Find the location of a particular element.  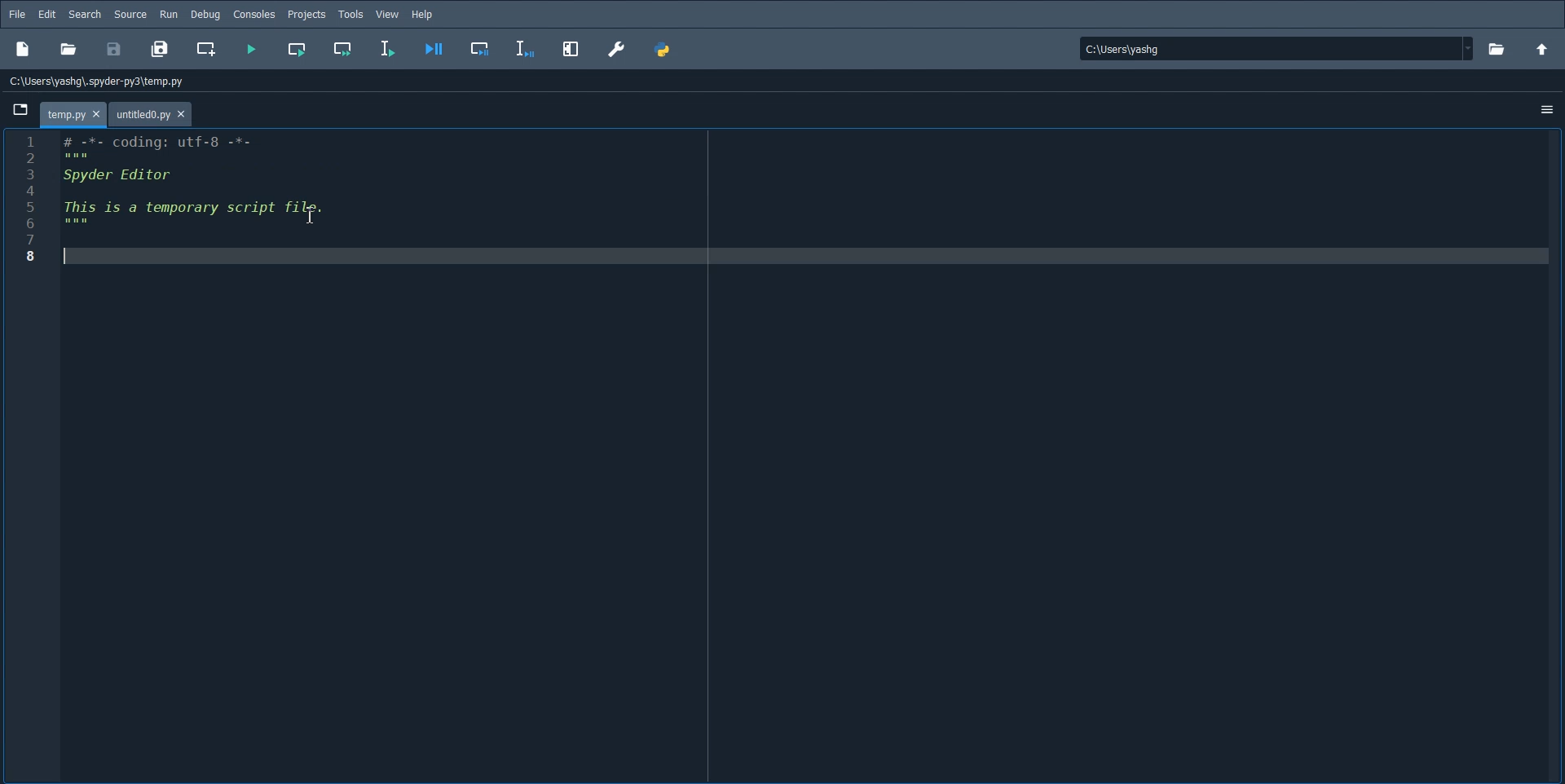

Maximize current pane is located at coordinates (572, 51).